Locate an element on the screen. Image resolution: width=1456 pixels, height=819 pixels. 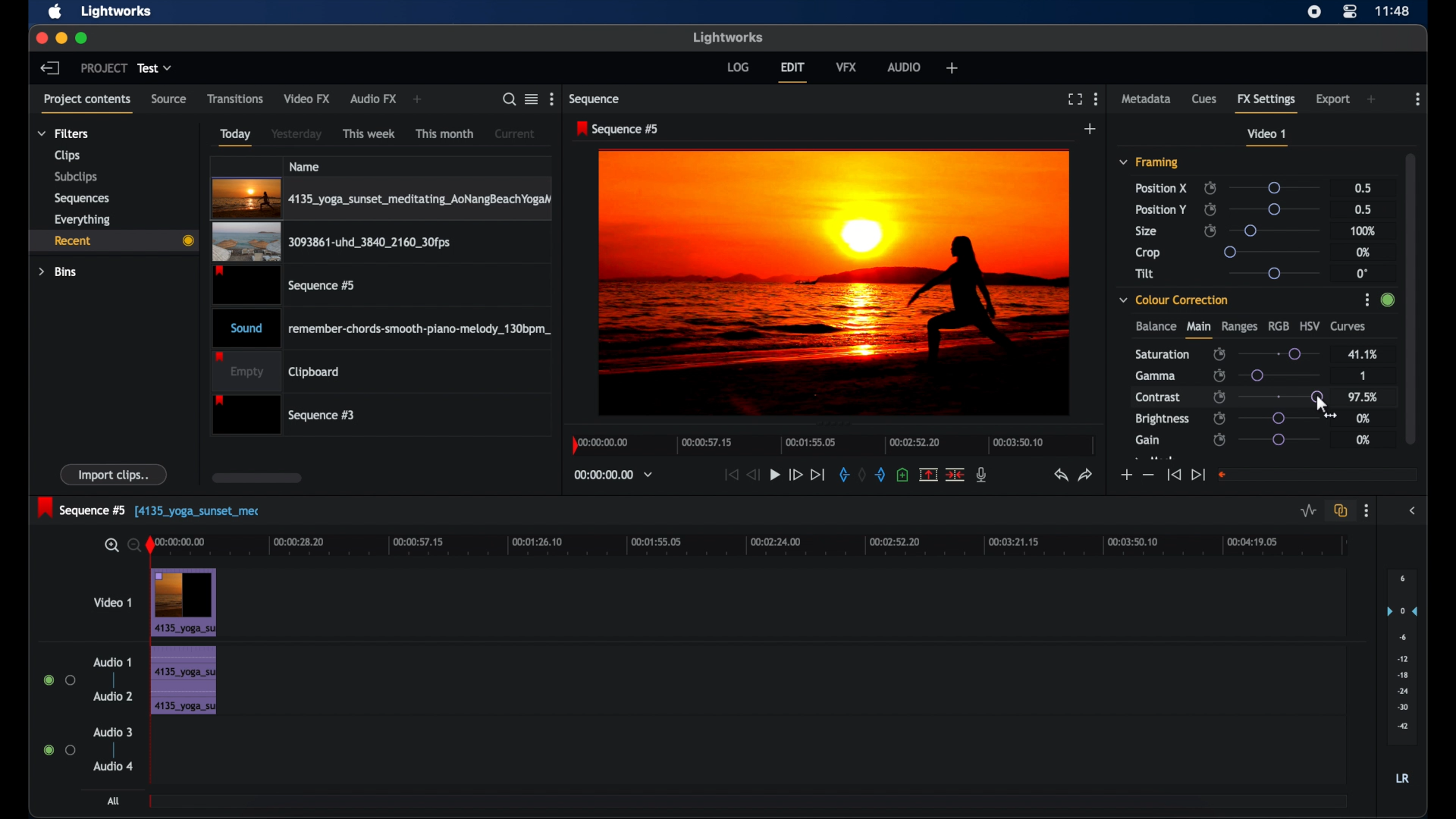
import clips is located at coordinates (115, 475).